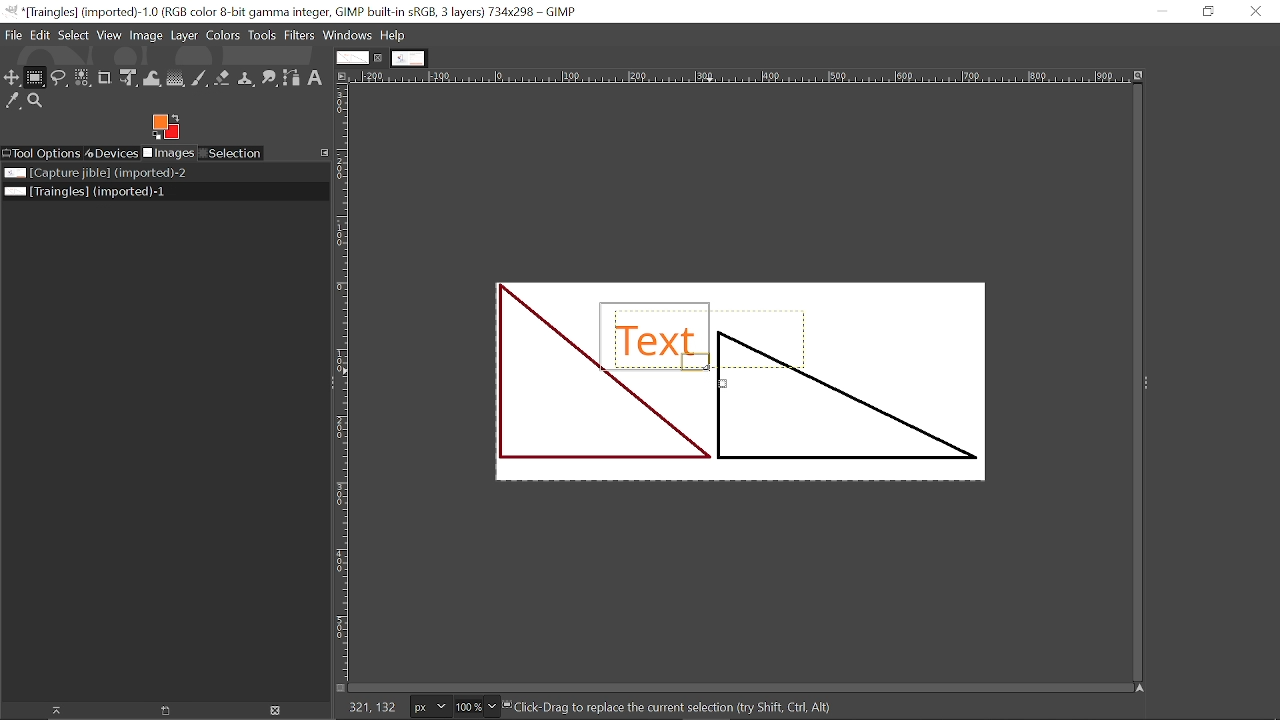  What do you see at coordinates (300, 36) in the screenshot?
I see `Filters` at bounding box center [300, 36].